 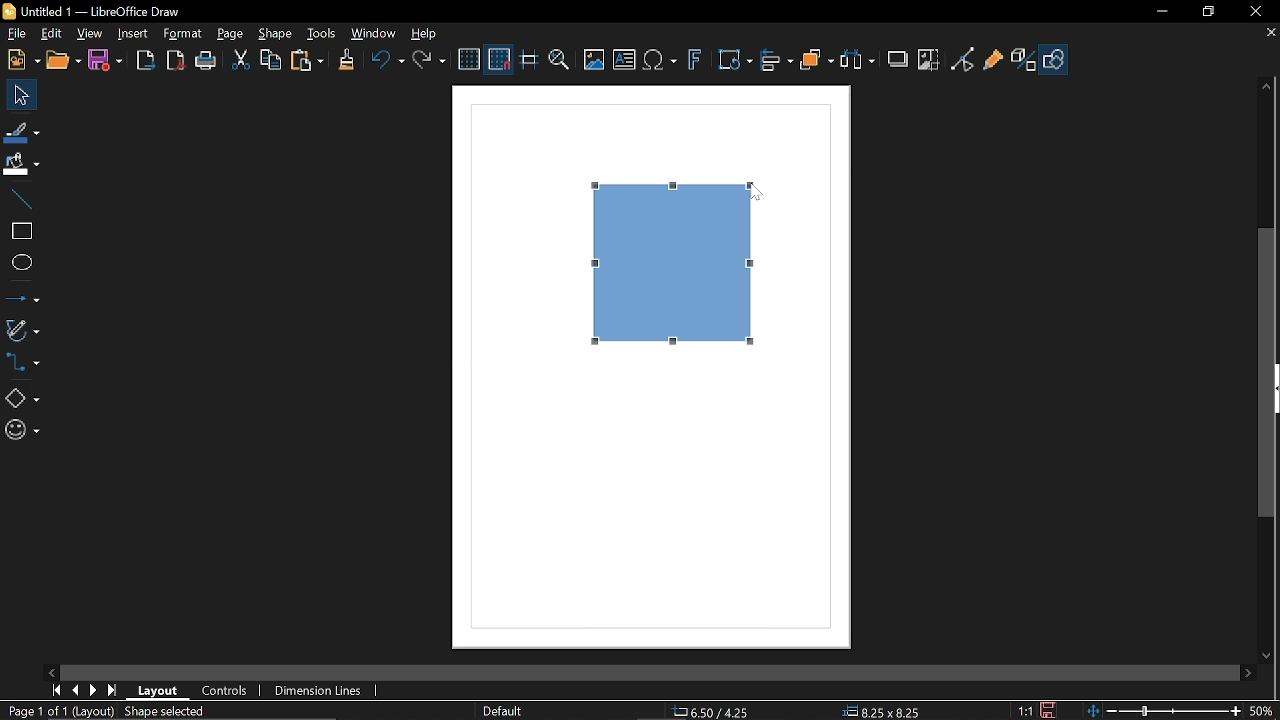 What do you see at coordinates (22, 61) in the screenshot?
I see `New` at bounding box center [22, 61].